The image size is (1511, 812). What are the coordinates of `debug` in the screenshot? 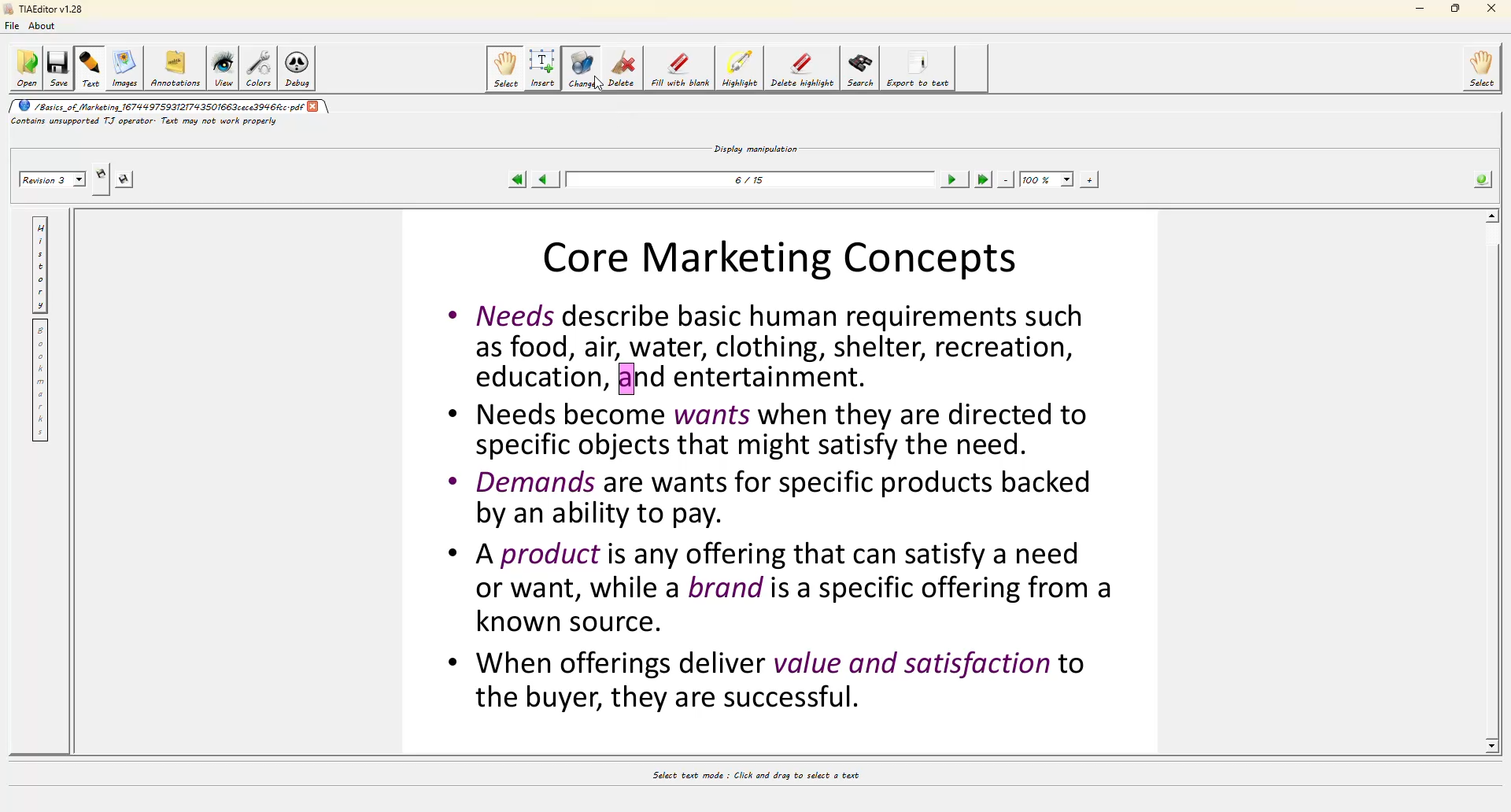 It's located at (295, 71).